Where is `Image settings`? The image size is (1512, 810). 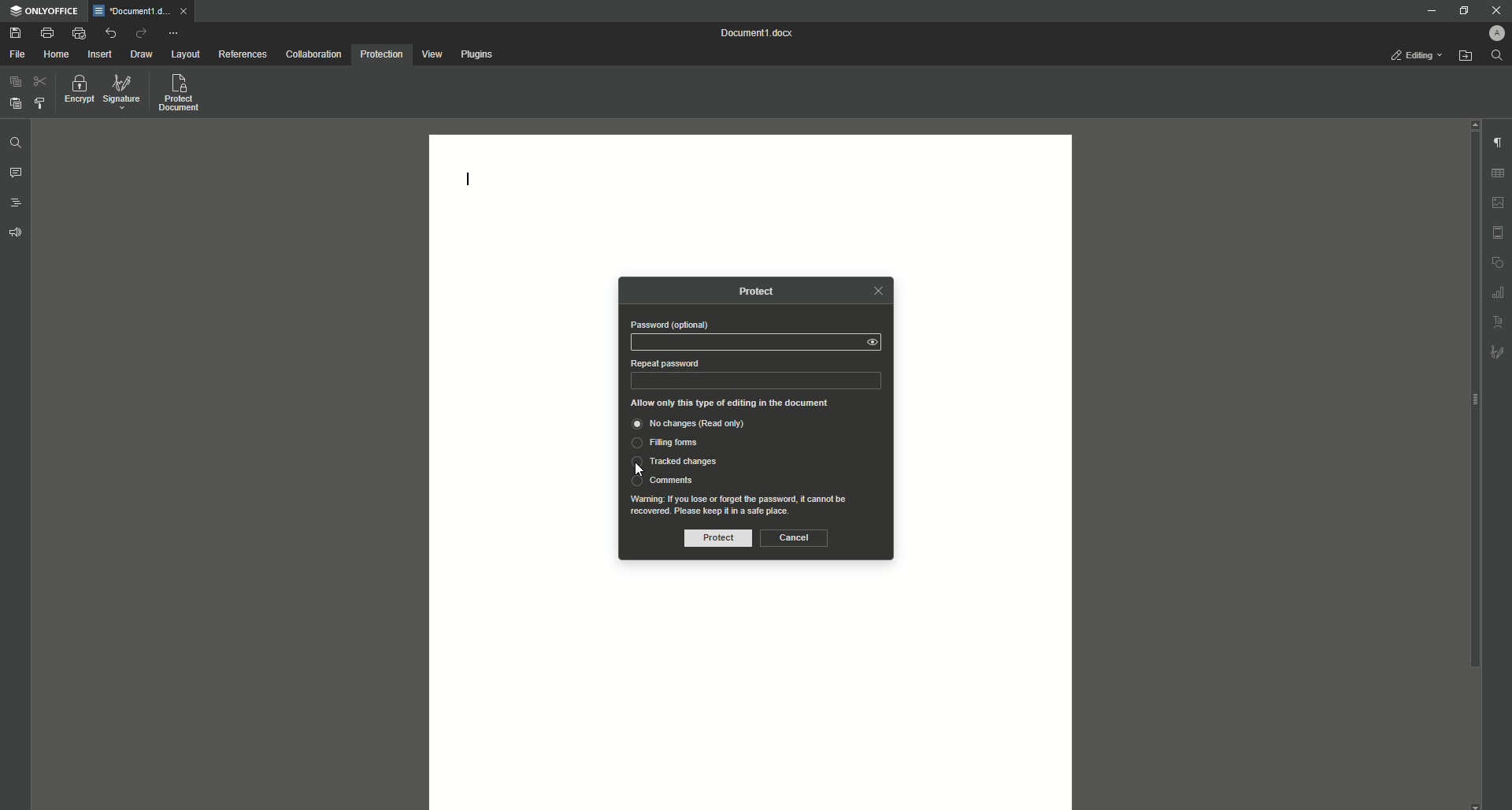 Image settings is located at coordinates (1499, 202).